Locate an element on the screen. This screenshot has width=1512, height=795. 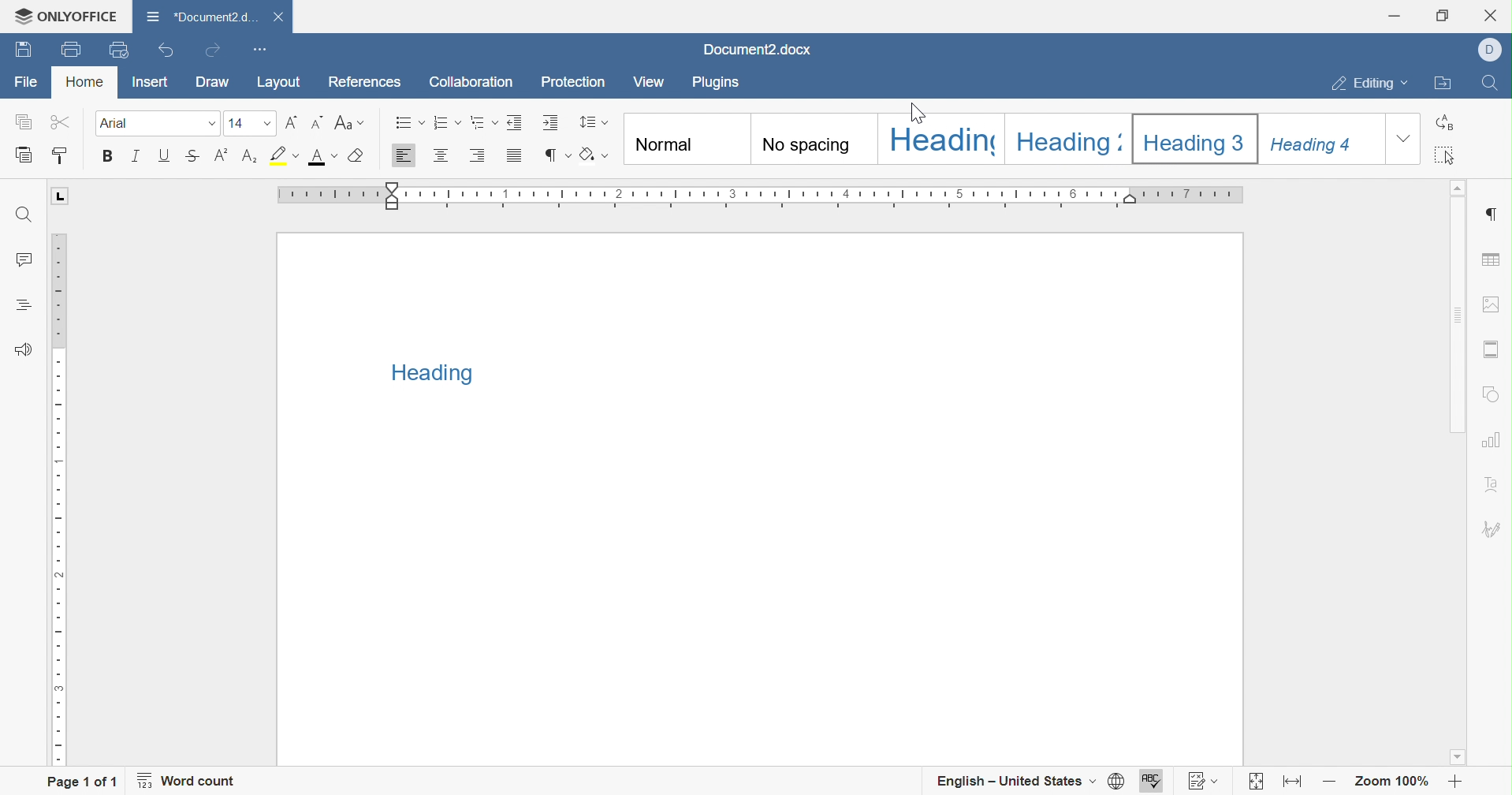
Superscript is located at coordinates (221, 157).